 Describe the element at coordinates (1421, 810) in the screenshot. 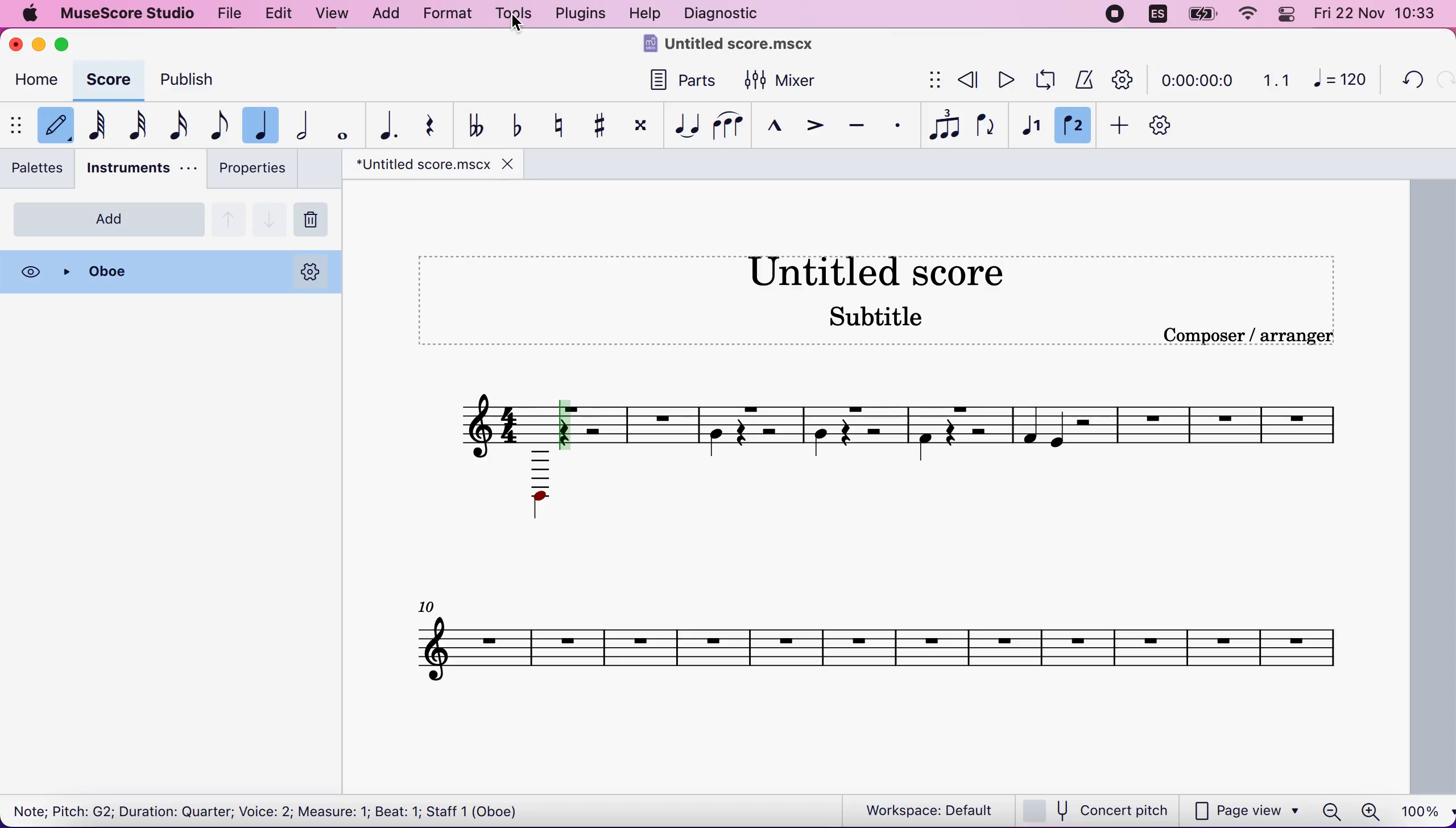

I see `100%` at that location.